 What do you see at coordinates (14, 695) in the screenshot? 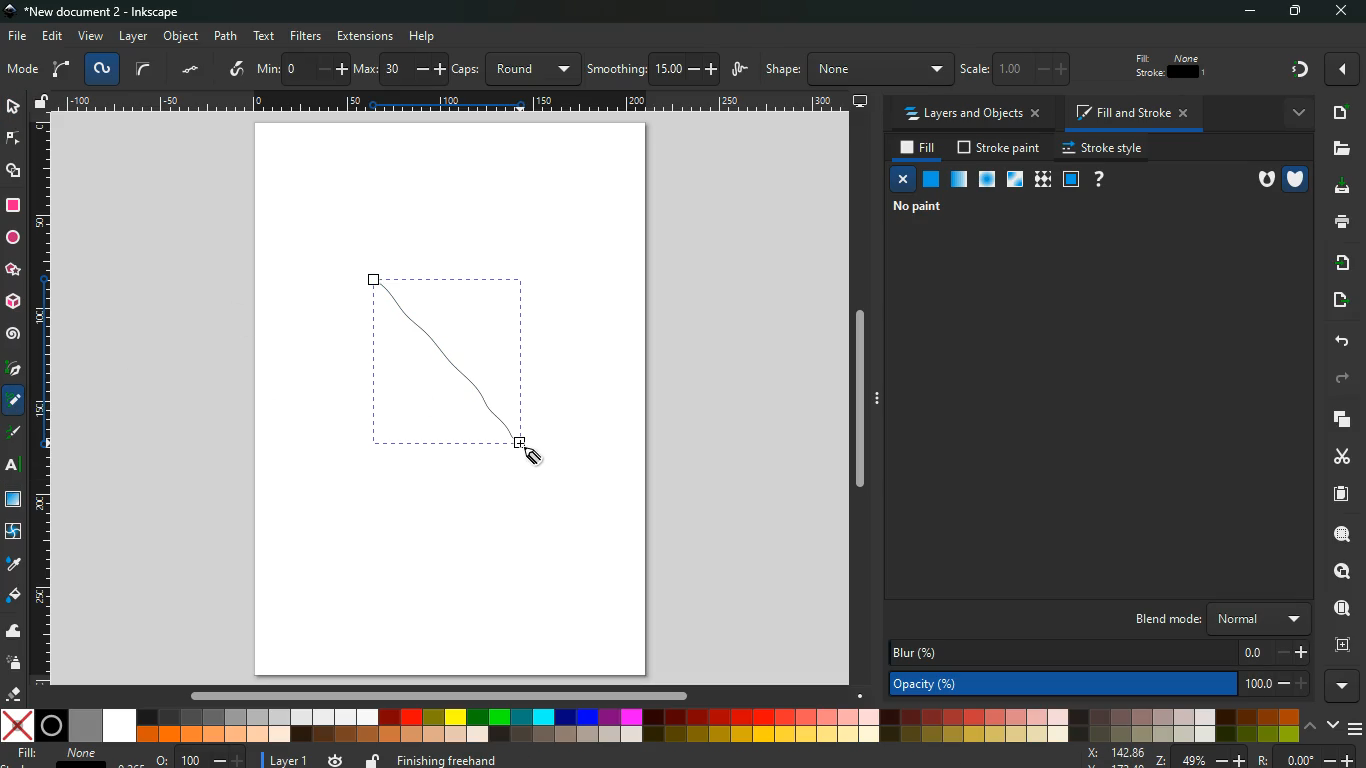
I see `erase` at bounding box center [14, 695].